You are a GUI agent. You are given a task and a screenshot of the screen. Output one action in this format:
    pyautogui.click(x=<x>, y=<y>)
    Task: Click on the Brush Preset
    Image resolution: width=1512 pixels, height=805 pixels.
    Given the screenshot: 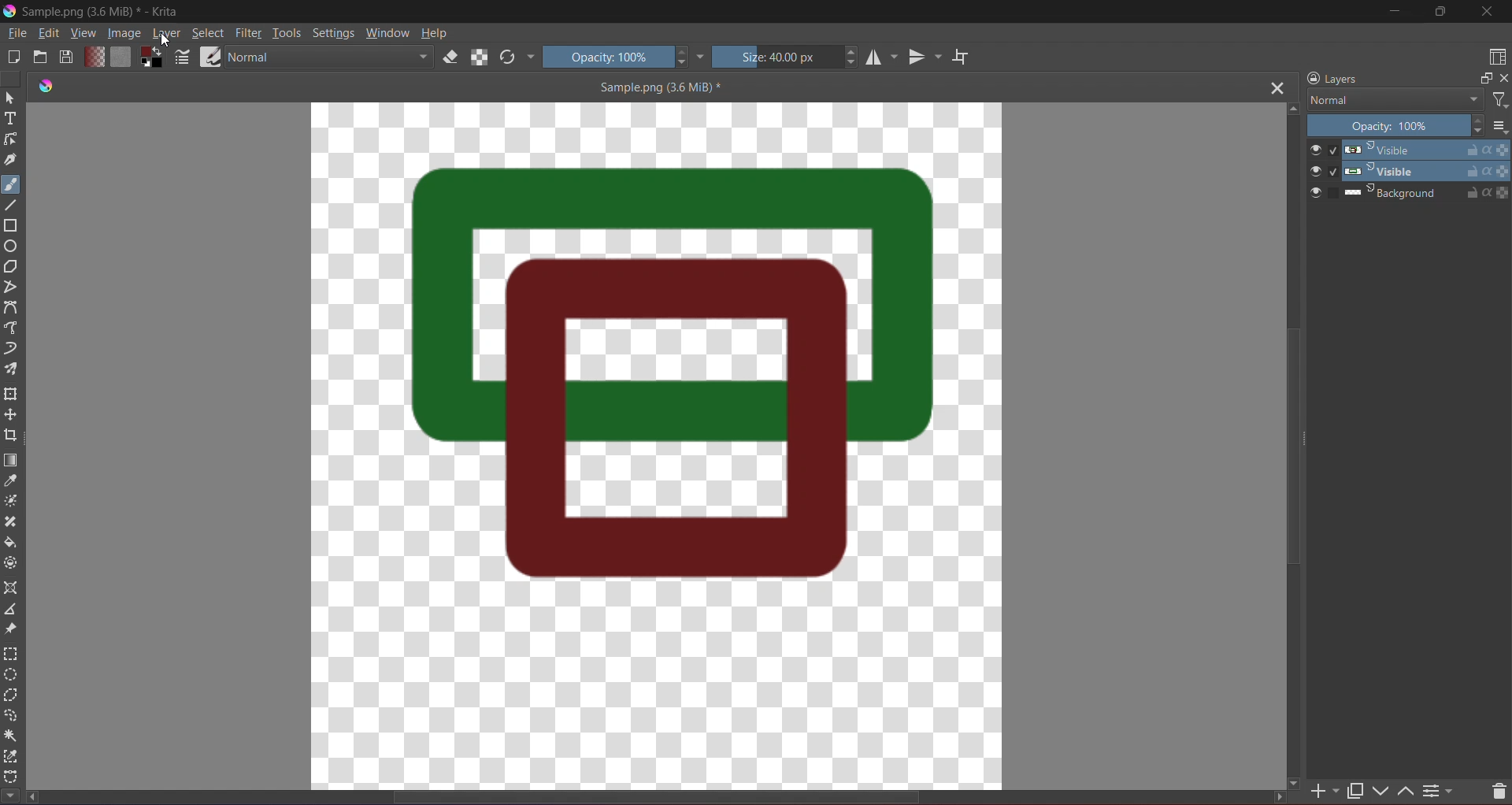 What is the action you would take?
    pyautogui.click(x=210, y=57)
    